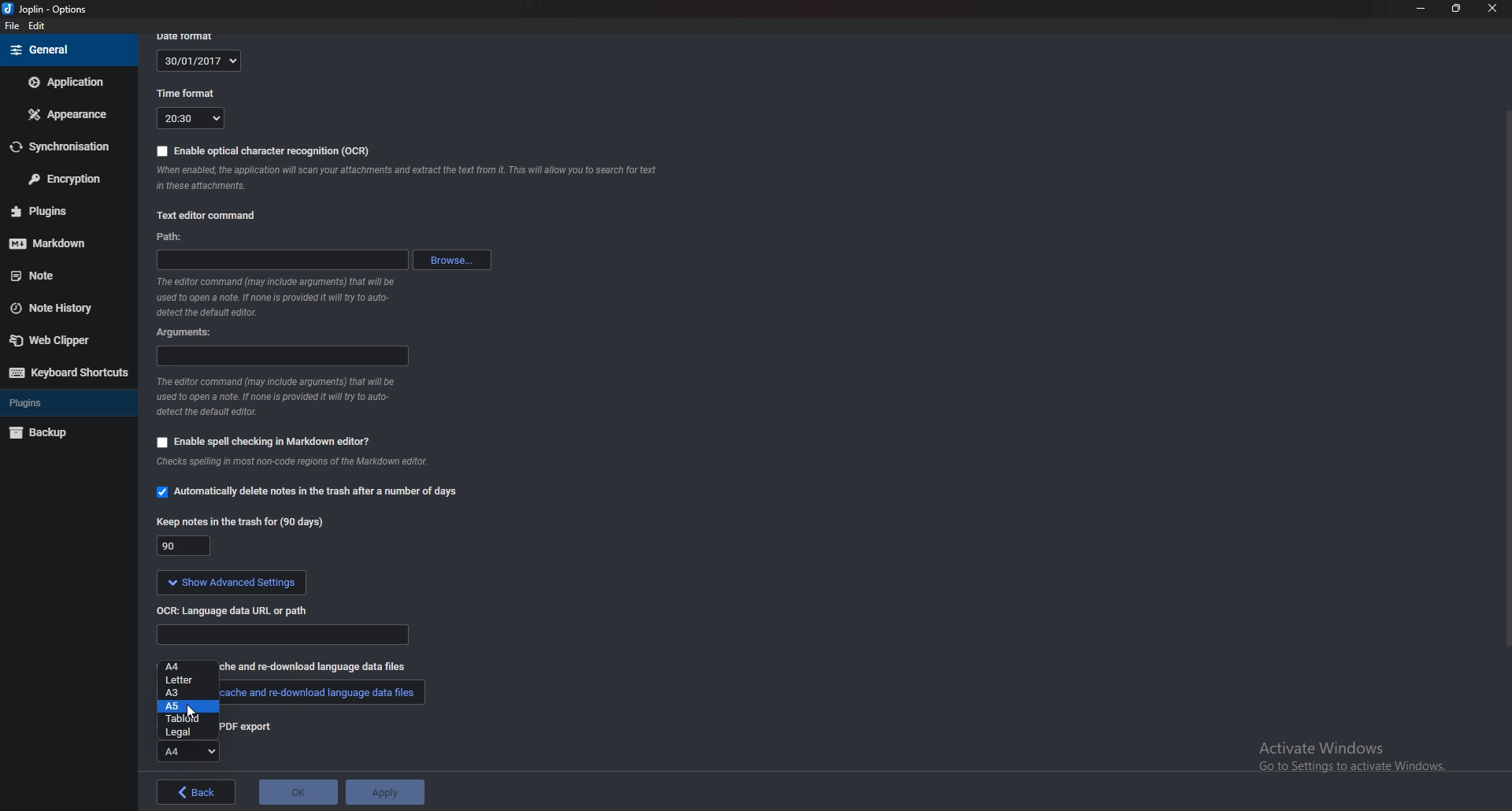 This screenshot has width=1512, height=811. I want to click on Text editor command, so click(209, 216).